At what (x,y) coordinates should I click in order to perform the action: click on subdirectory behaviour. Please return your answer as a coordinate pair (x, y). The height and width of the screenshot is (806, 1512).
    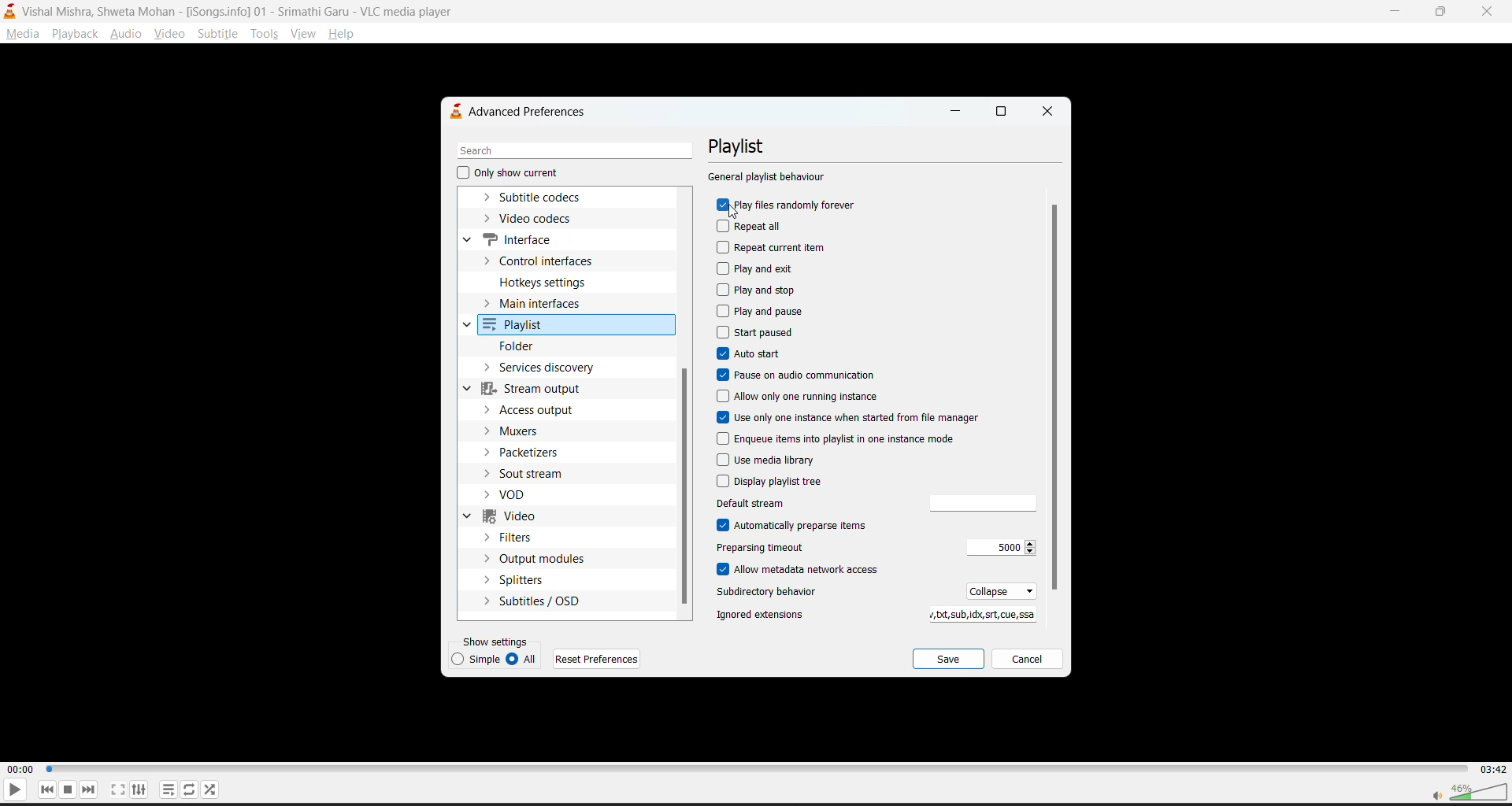
    Looking at the image, I should click on (876, 592).